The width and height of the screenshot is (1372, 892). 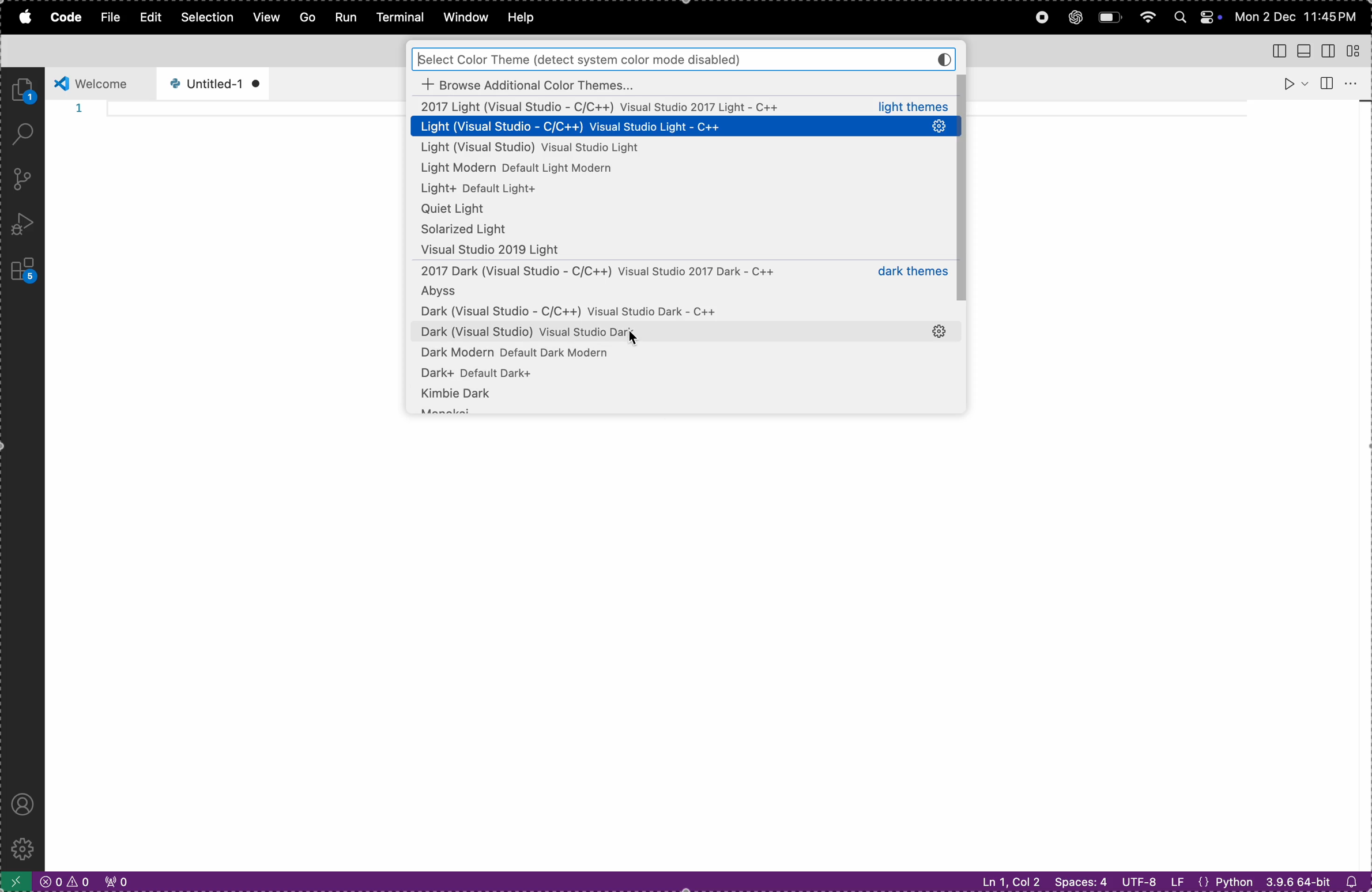 What do you see at coordinates (943, 332) in the screenshot?
I see `setting` at bounding box center [943, 332].